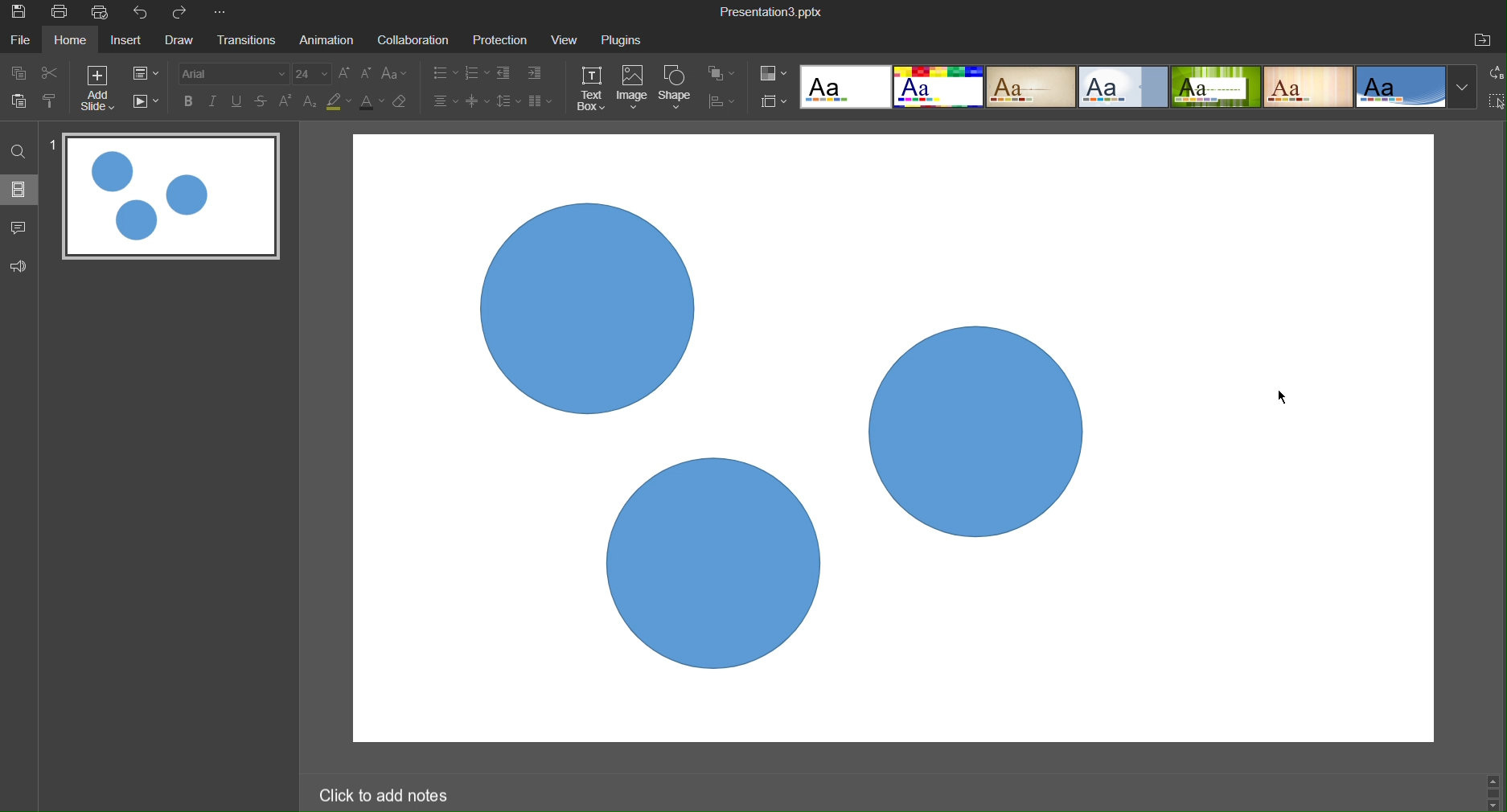 The image size is (1507, 812). What do you see at coordinates (774, 101) in the screenshot?
I see `Slide Size Settings` at bounding box center [774, 101].